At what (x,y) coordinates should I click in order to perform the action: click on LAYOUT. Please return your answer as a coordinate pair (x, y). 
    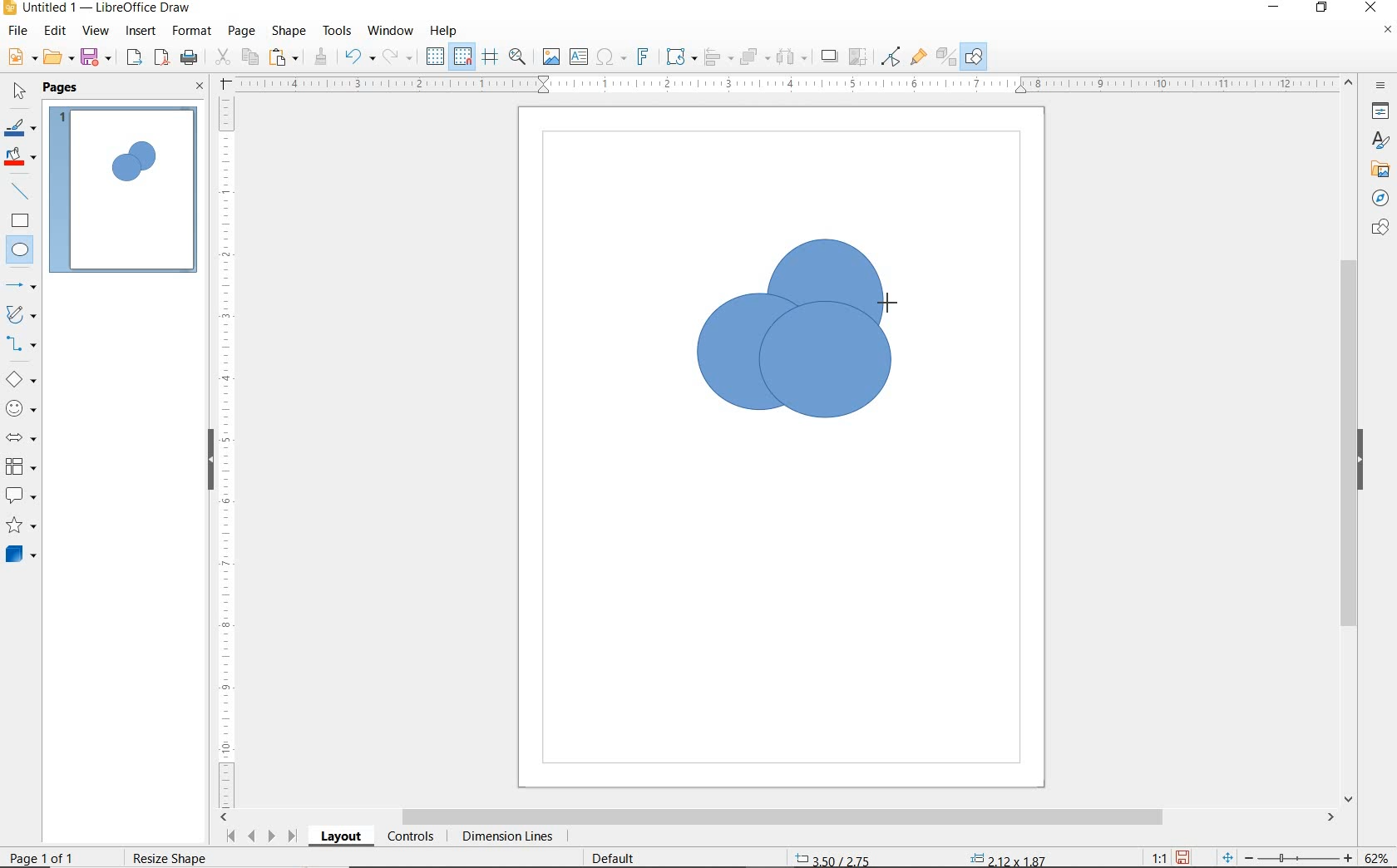
    Looking at the image, I should click on (340, 839).